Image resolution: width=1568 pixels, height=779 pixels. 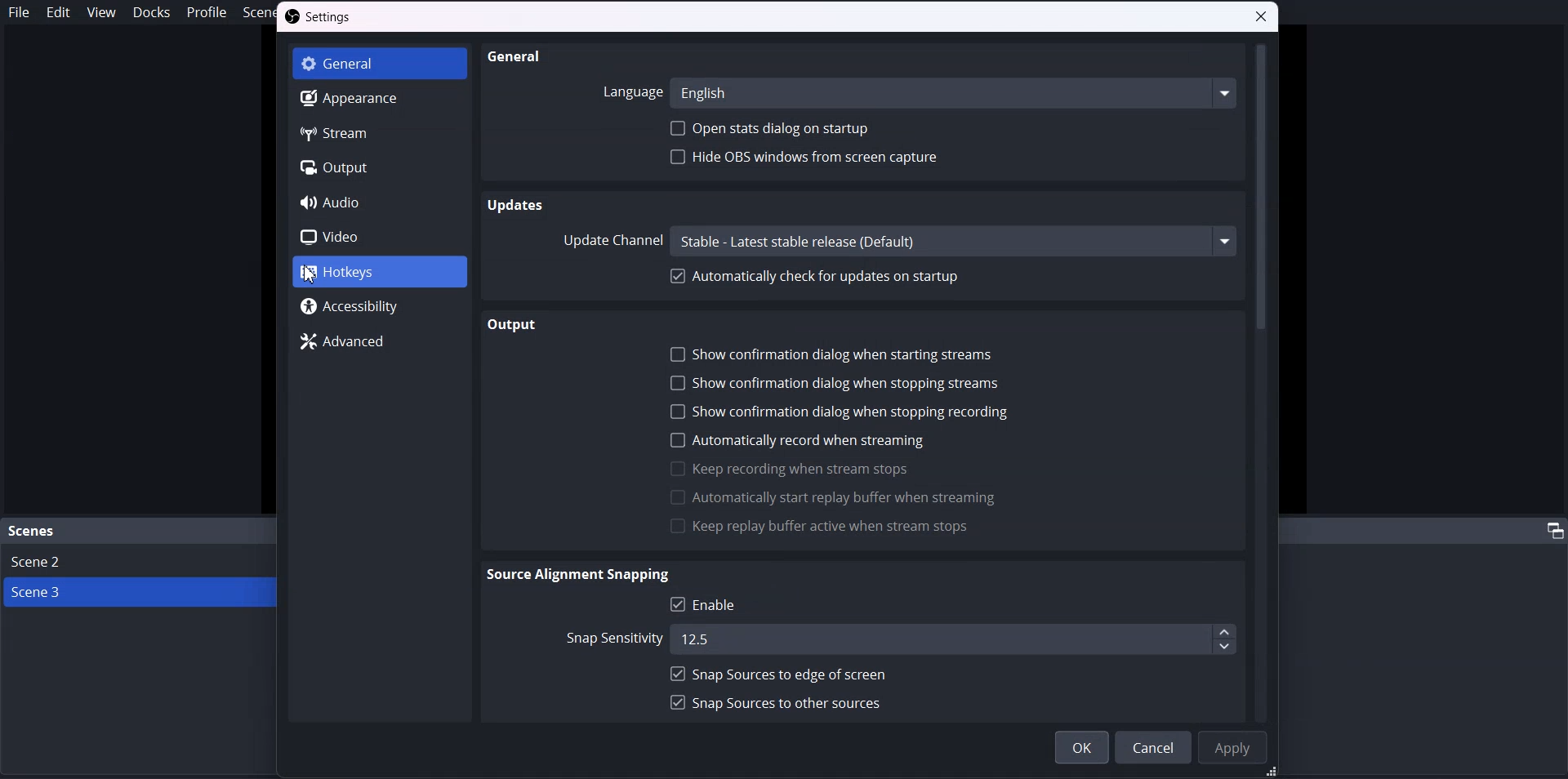 I want to click on Language, so click(x=915, y=92).